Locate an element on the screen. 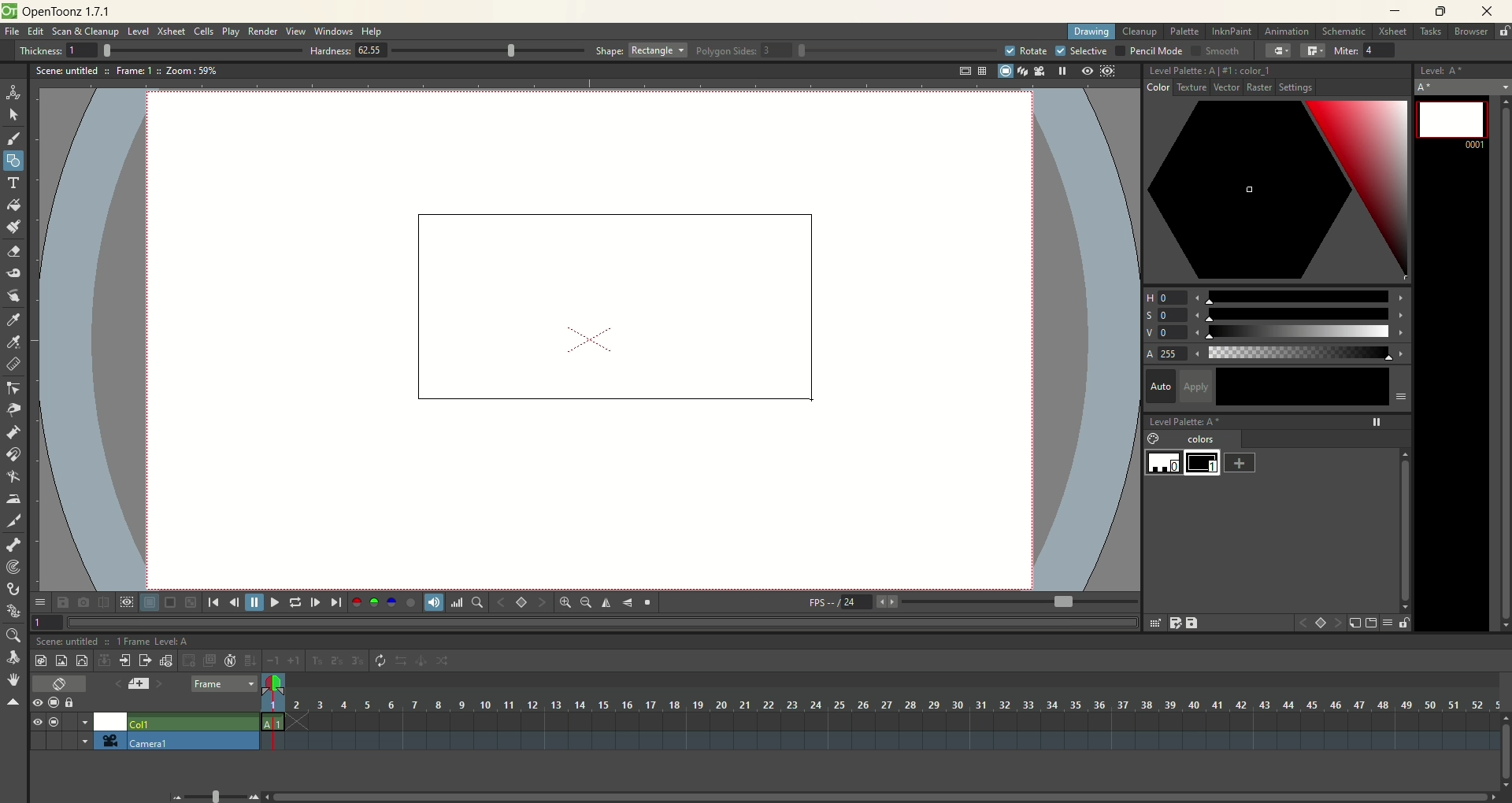  cleanup palette is located at coordinates (1277, 71).